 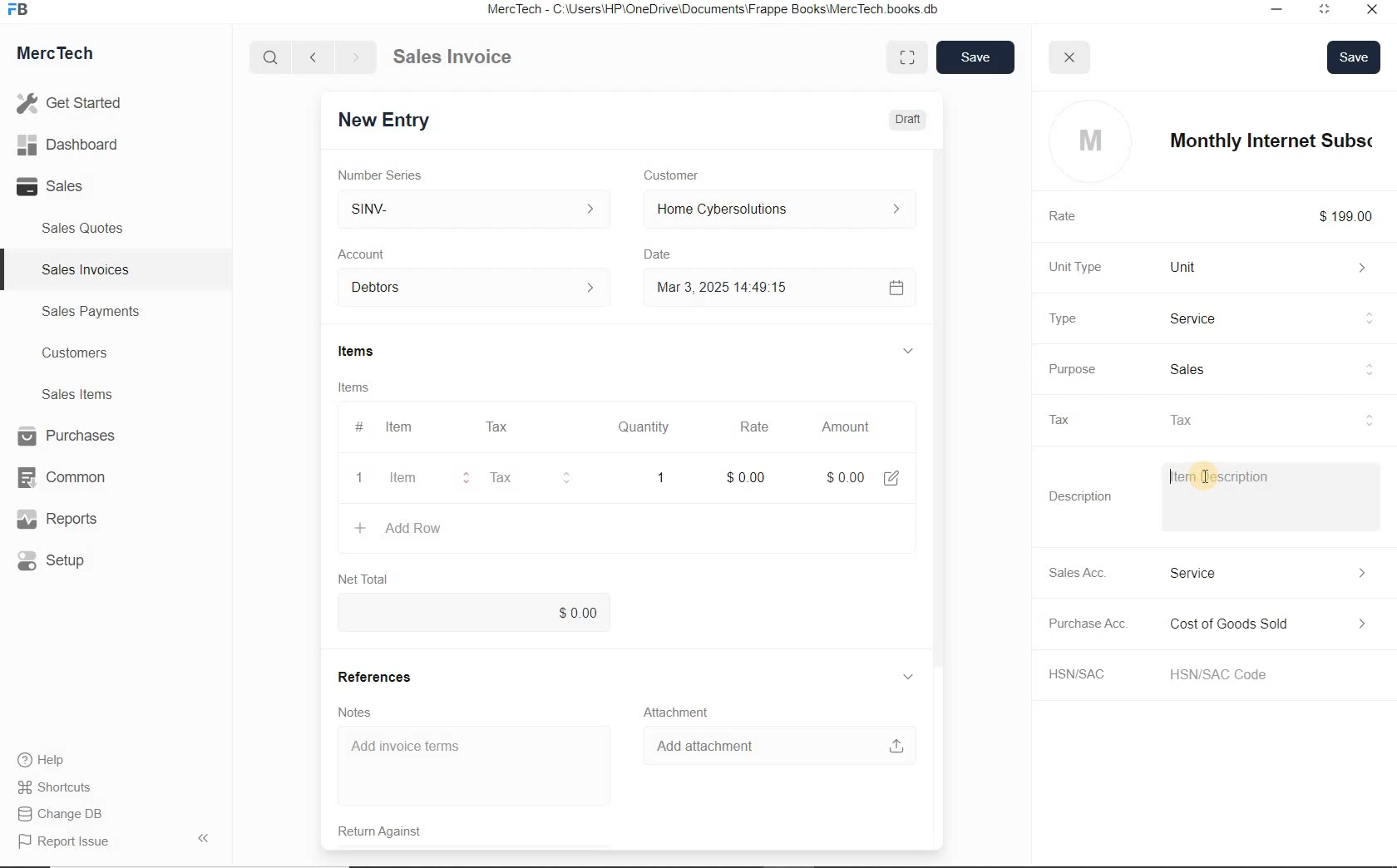 What do you see at coordinates (1263, 141) in the screenshot?
I see `item name` at bounding box center [1263, 141].